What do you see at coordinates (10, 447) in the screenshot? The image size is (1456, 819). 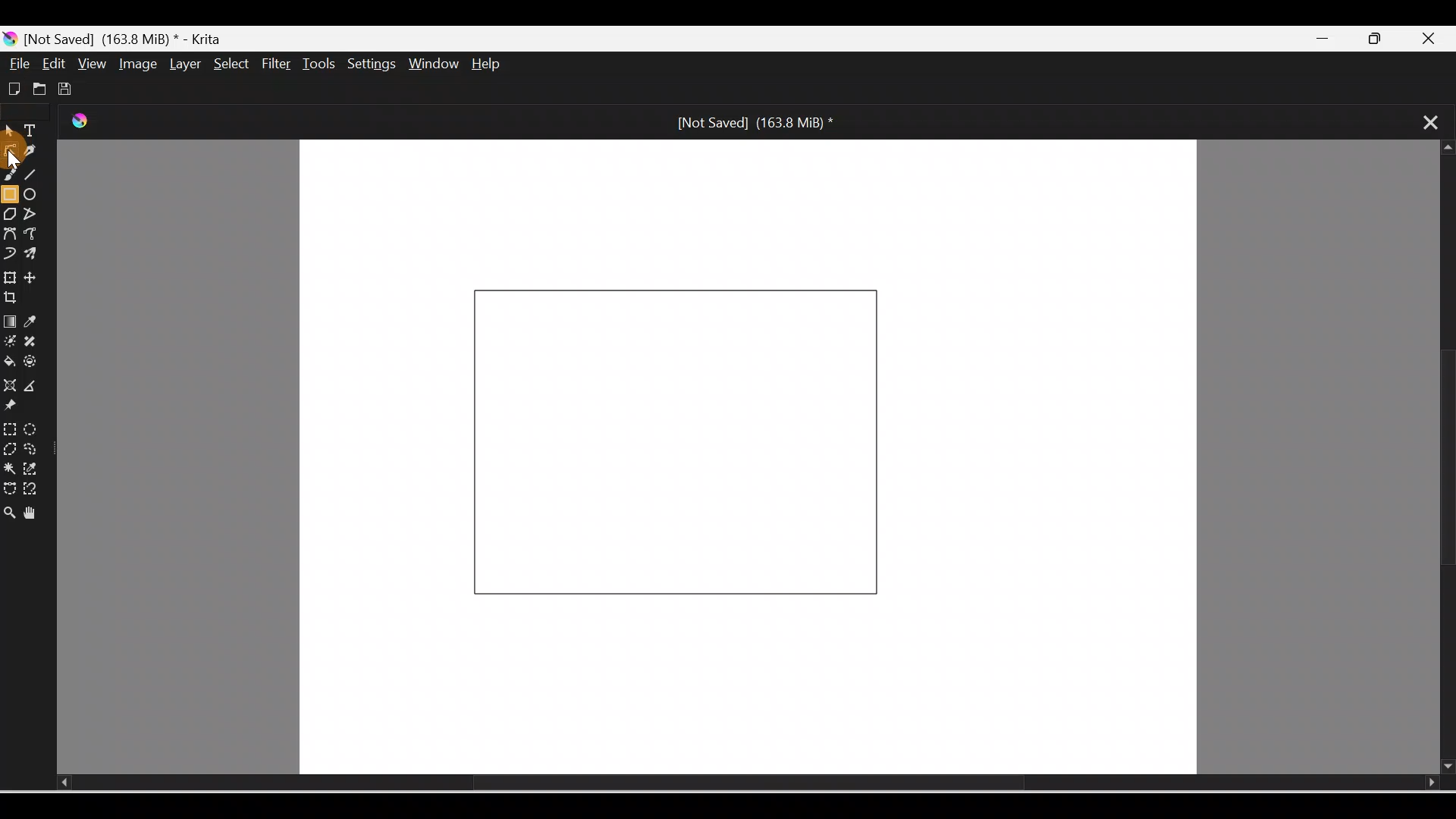 I see `Polygonal selection tool` at bounding box center [10, 447].